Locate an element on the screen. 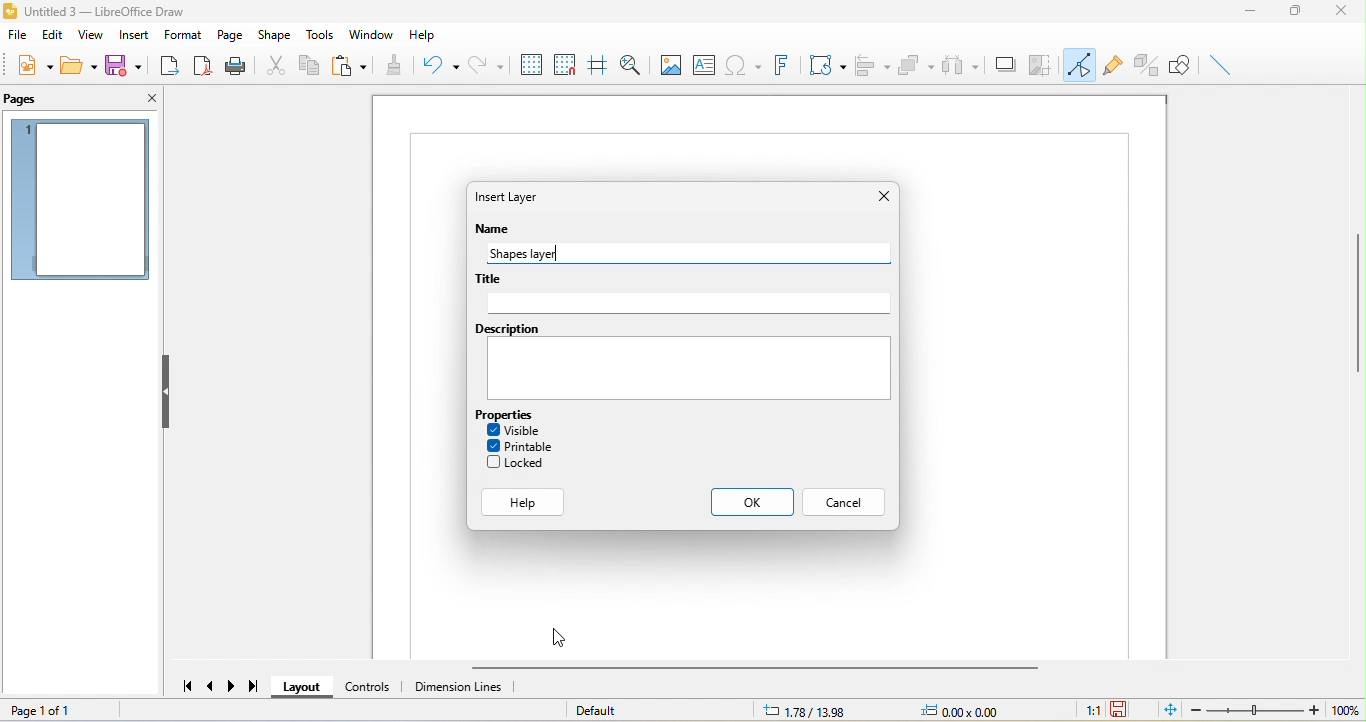 This screenshot has height=722, width=1366. visible is located at coordinates (517, 429).